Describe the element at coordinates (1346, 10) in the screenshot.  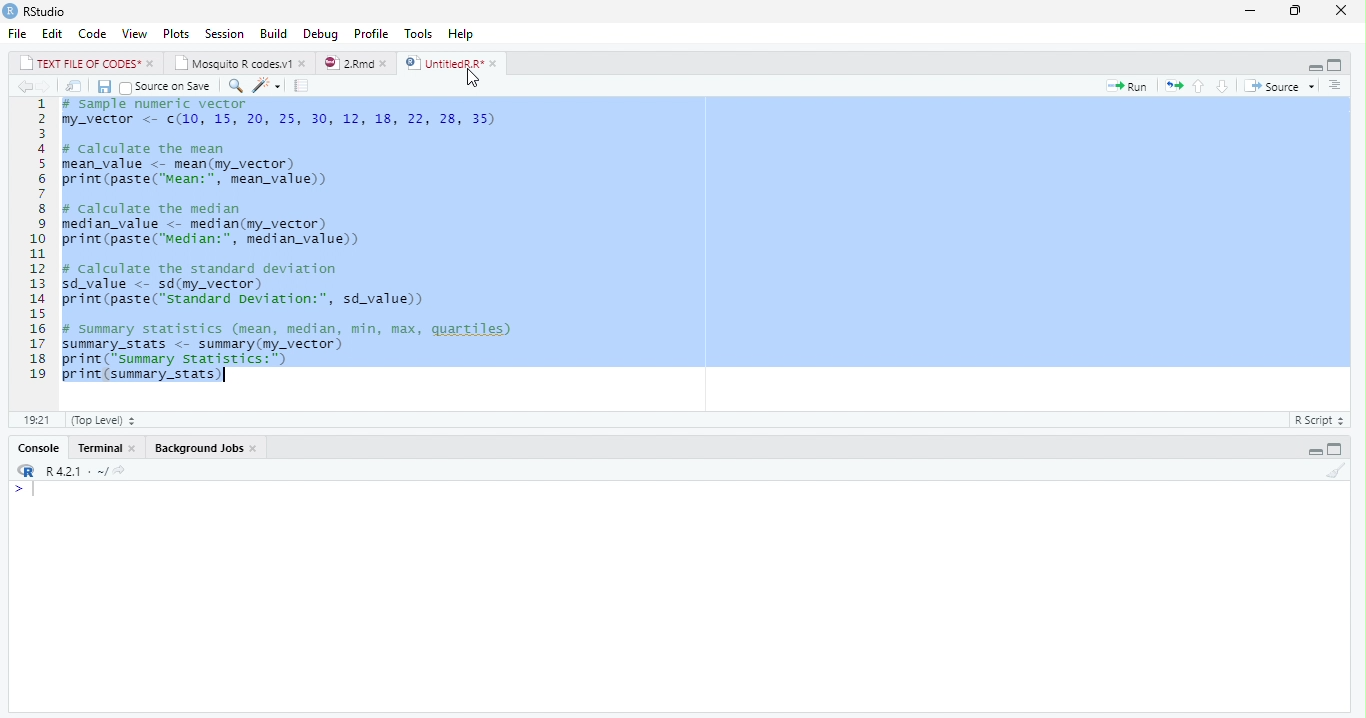
I see `close` at that location.